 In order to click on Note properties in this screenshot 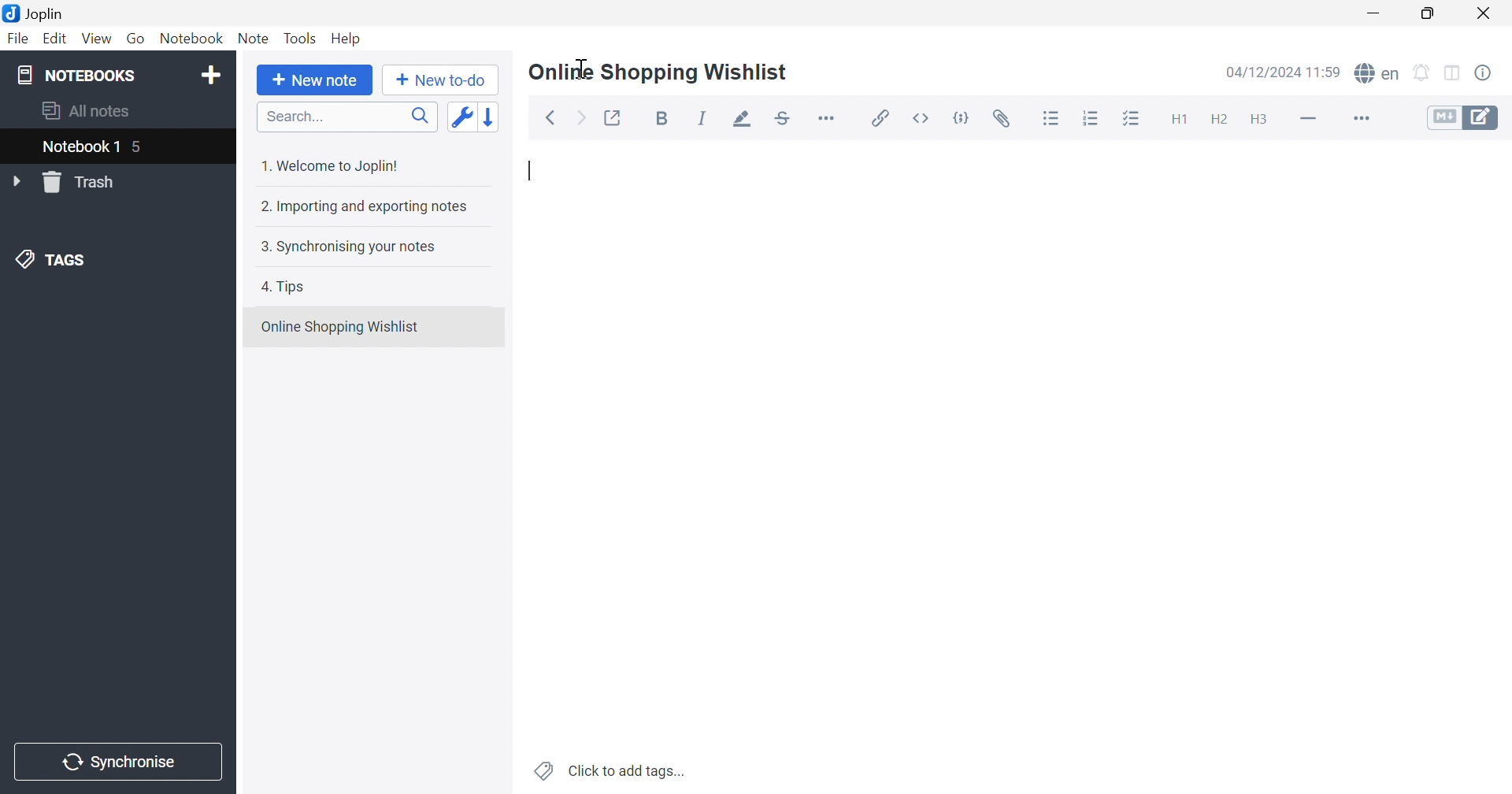, I will do `click(1486, 71)`.